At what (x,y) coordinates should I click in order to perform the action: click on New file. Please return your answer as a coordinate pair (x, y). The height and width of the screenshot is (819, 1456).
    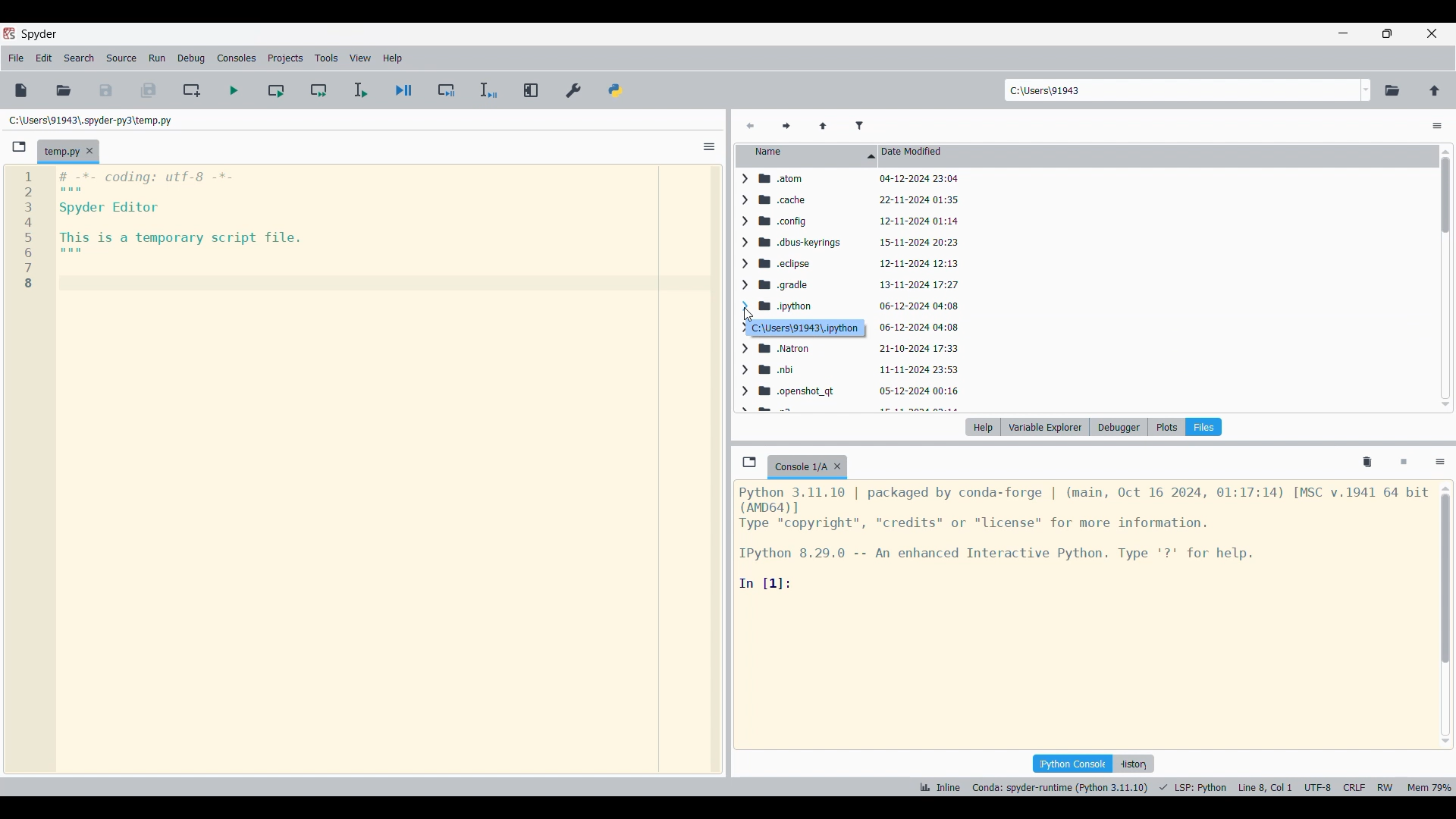
    Looking at the image, I should click on (21, 90).